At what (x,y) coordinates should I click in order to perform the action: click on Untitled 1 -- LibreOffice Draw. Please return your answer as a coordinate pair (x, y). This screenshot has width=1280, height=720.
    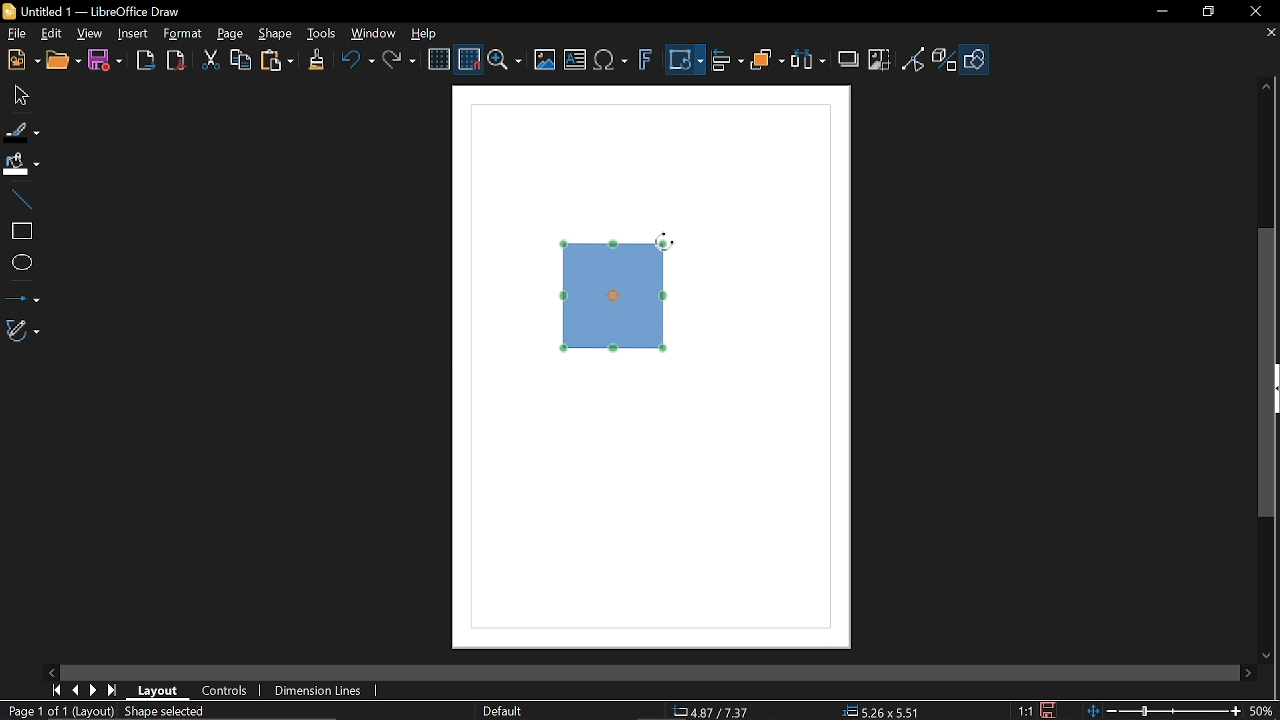
    Looking at the image, I should click on (107, 10).